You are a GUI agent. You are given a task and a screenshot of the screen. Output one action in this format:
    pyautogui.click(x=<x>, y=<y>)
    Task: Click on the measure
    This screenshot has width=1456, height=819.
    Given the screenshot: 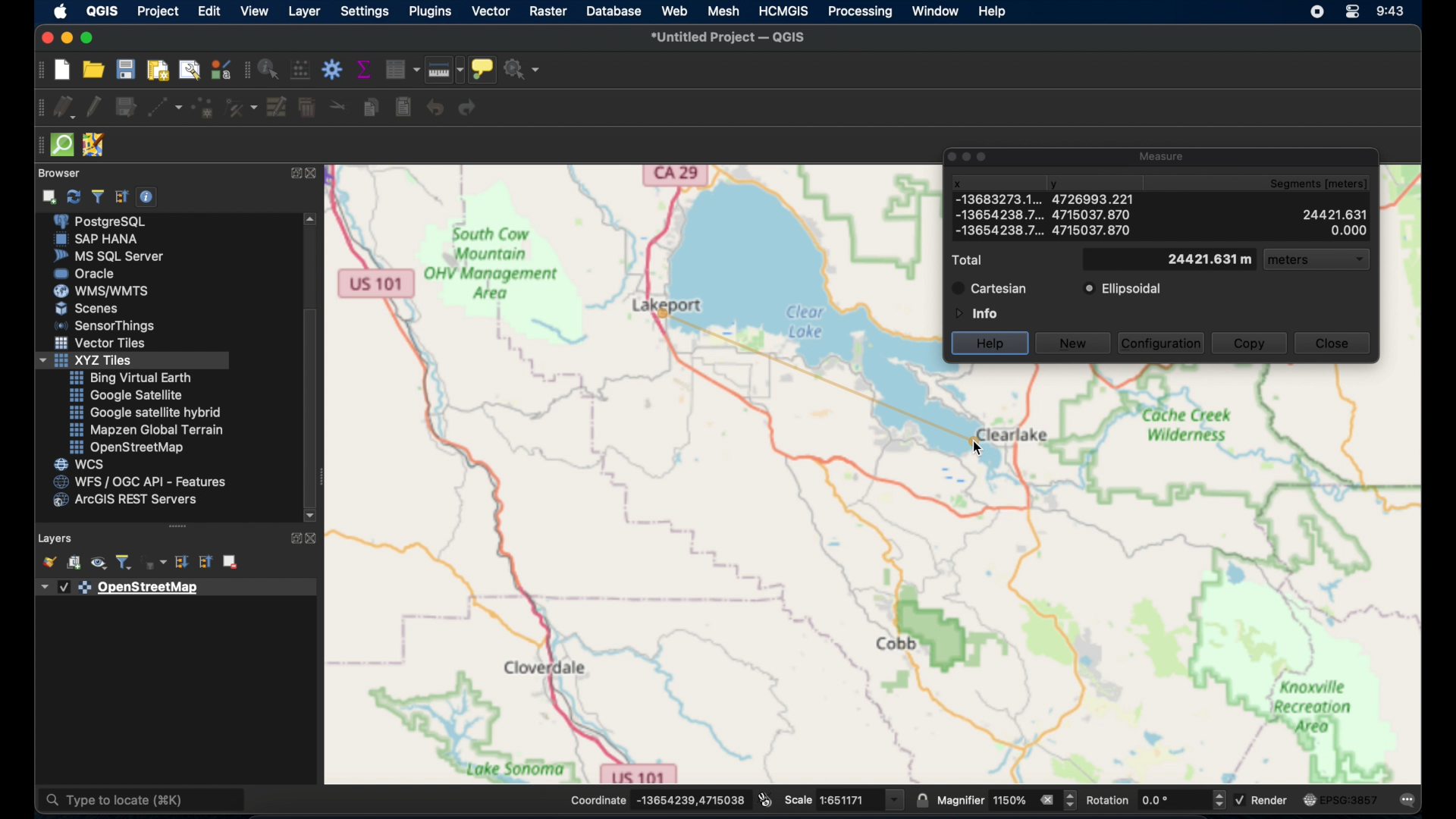 What is the action you would take?
    pyautogui.click(x=1163, y=154)
    